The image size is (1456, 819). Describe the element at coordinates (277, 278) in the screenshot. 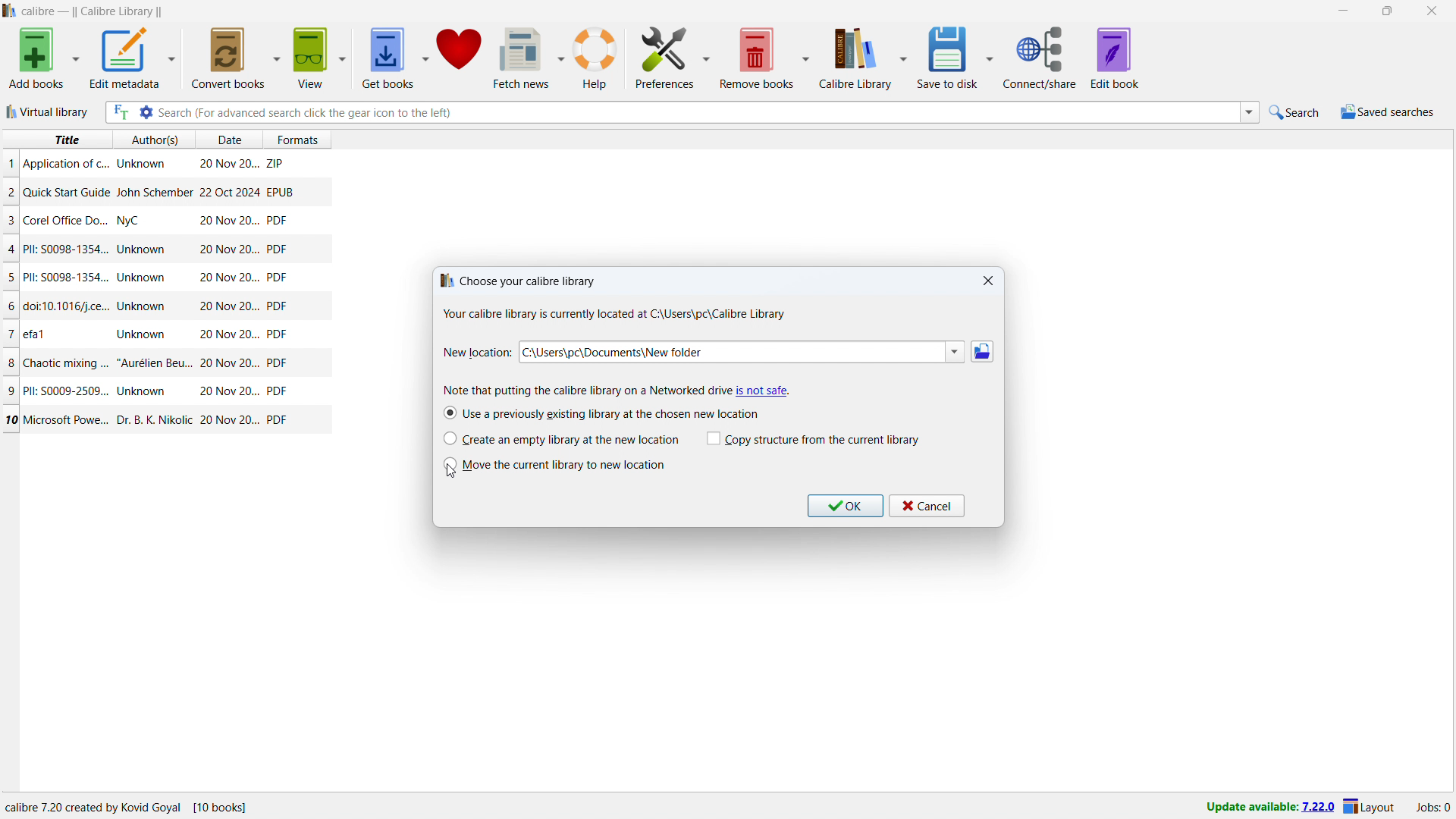

I see `PDF` at that location.